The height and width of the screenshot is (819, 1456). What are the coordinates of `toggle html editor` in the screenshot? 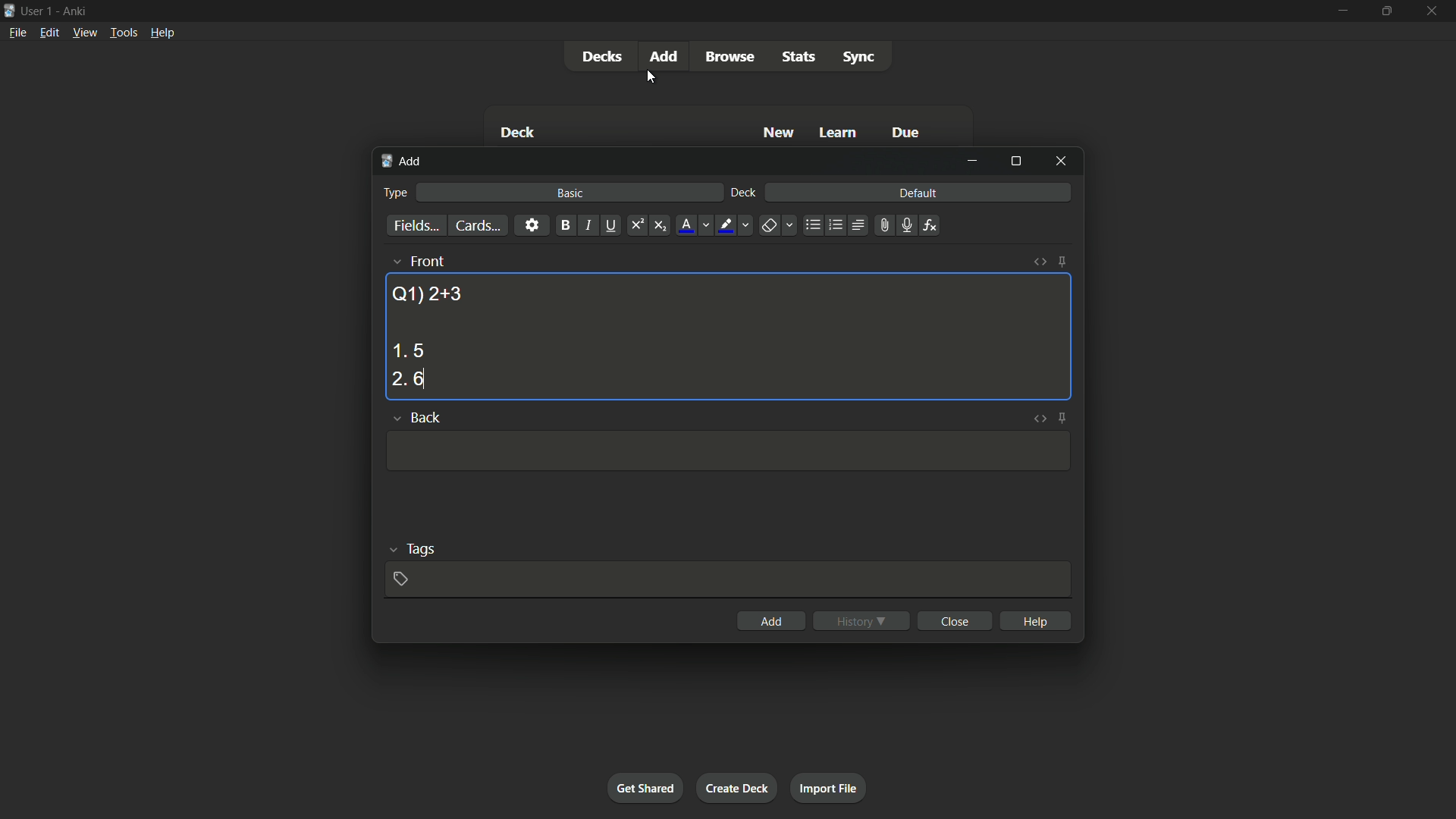 It's located at (1037, 418).